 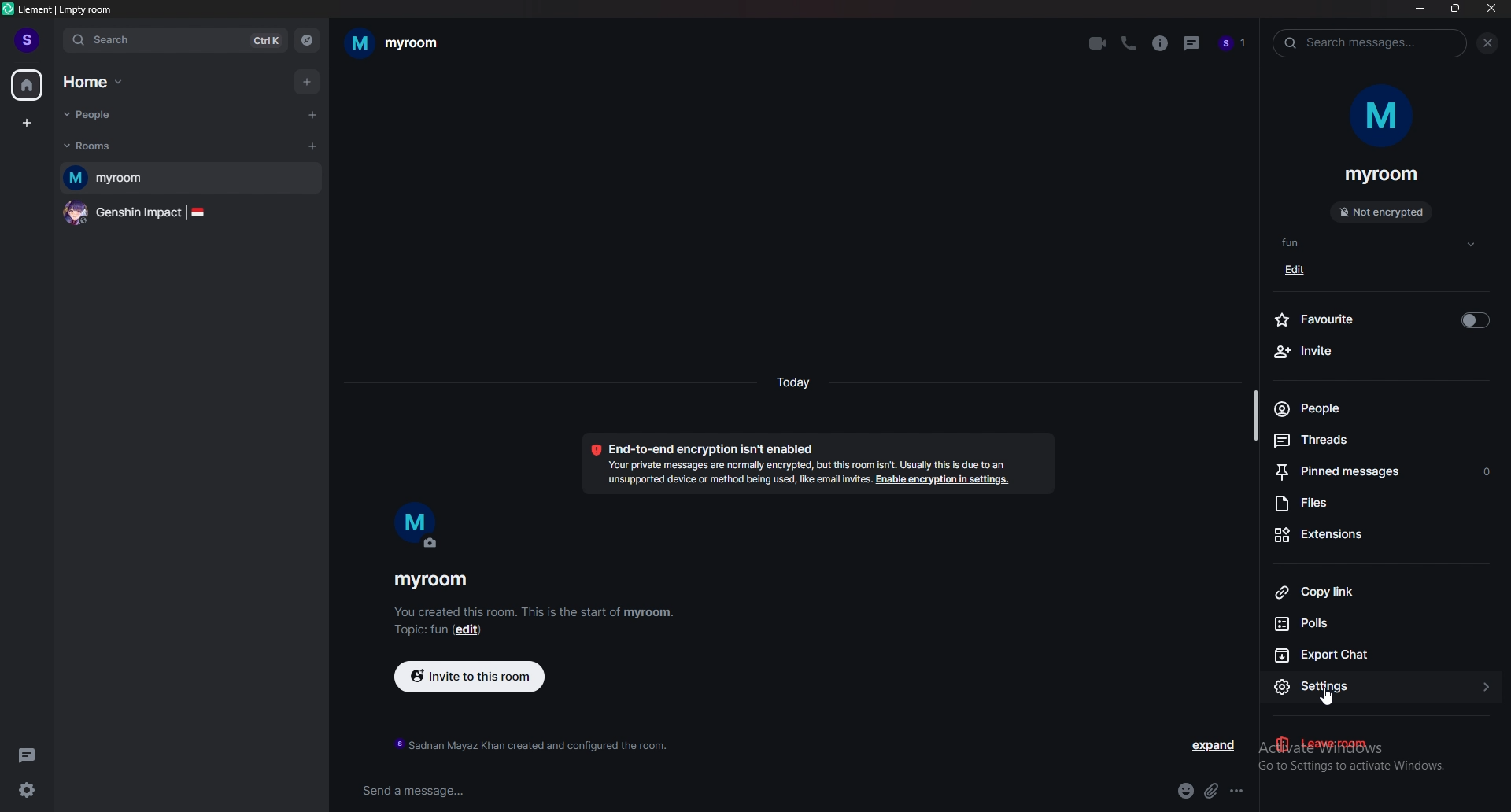 What do you see at coordinates (1254, 414) in the screenshot?
I see `size adjustment` at bounding box center [1254, 414].